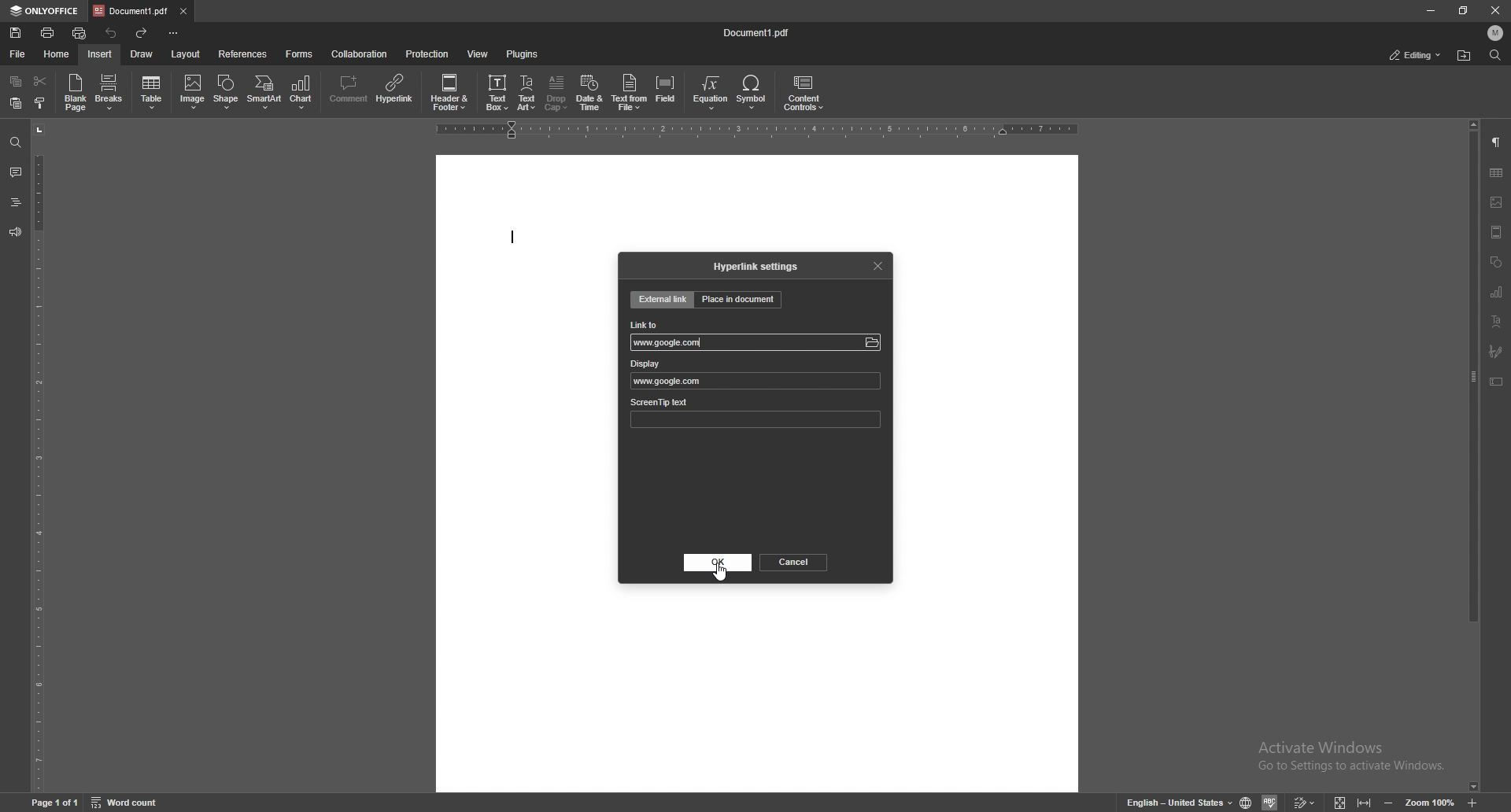  Describe the element at coordinates (396, 90) in the screenshot. I see `hyperlink` at that location.